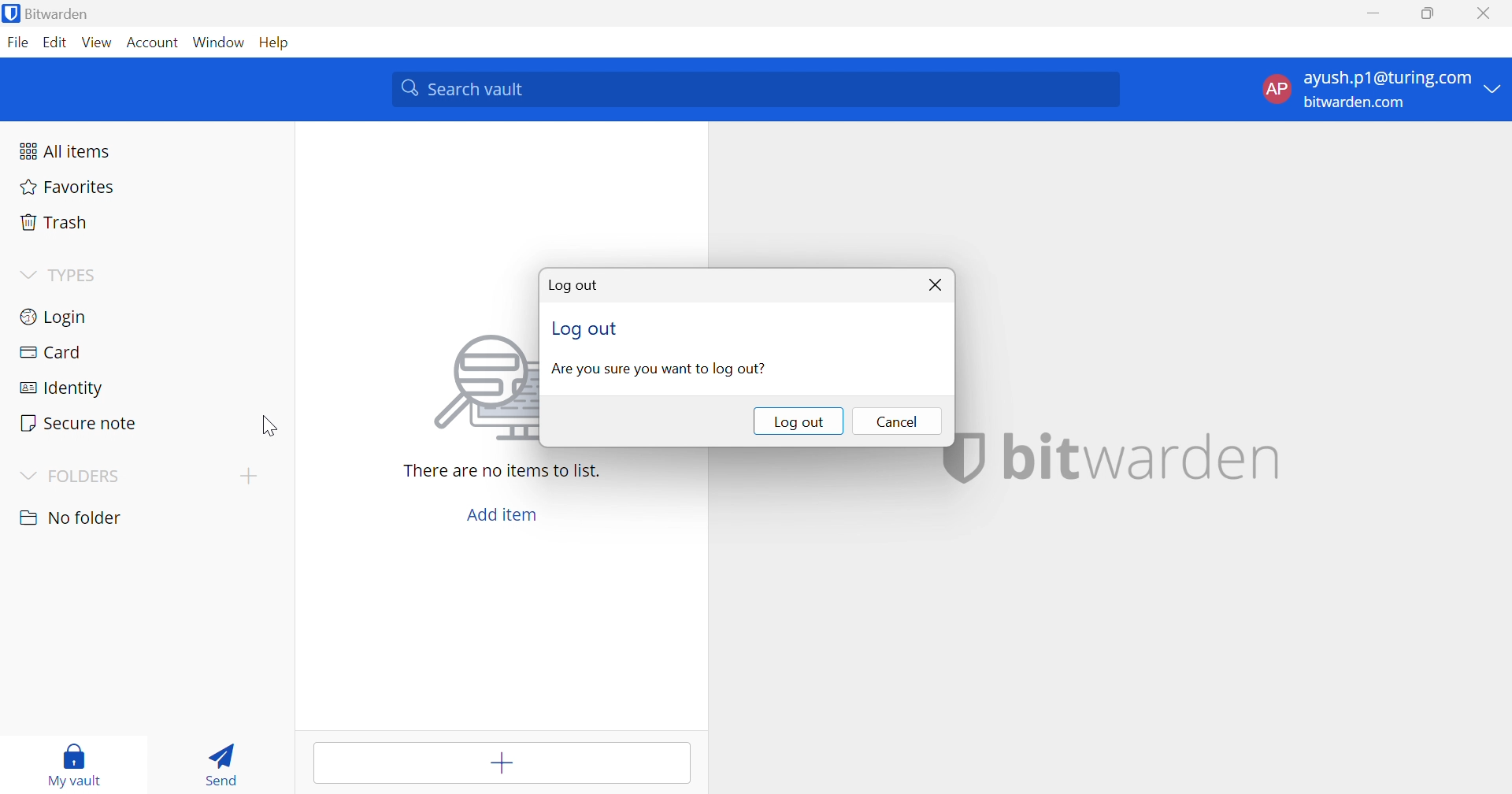  I want to click on Search vault, so click(754, 90).